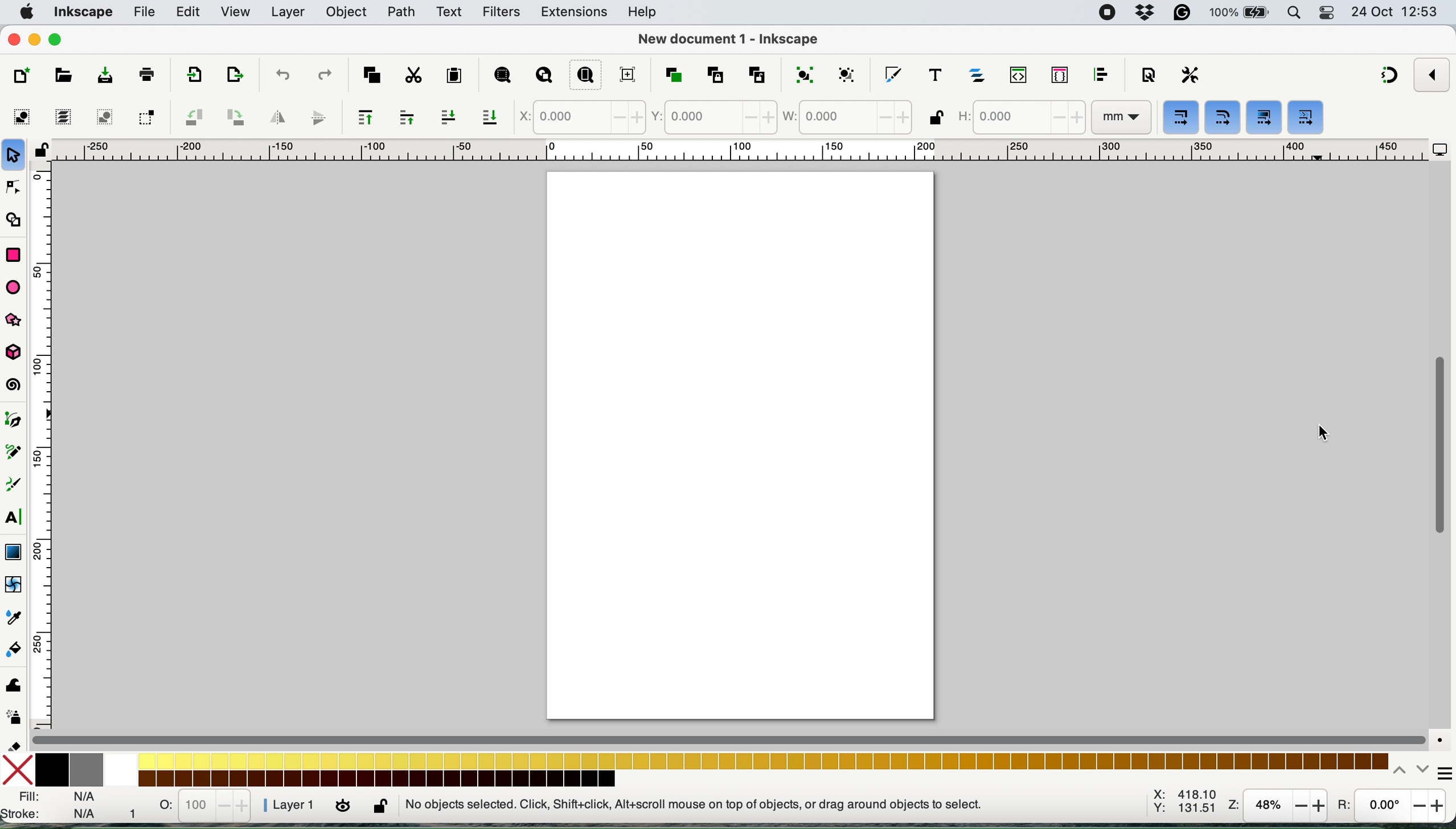 This screenshot has width=1456, height=829. What do you see at coordinates (57, 40) in the screenshot?
I see `maximise` at bounding box center [57, 40].